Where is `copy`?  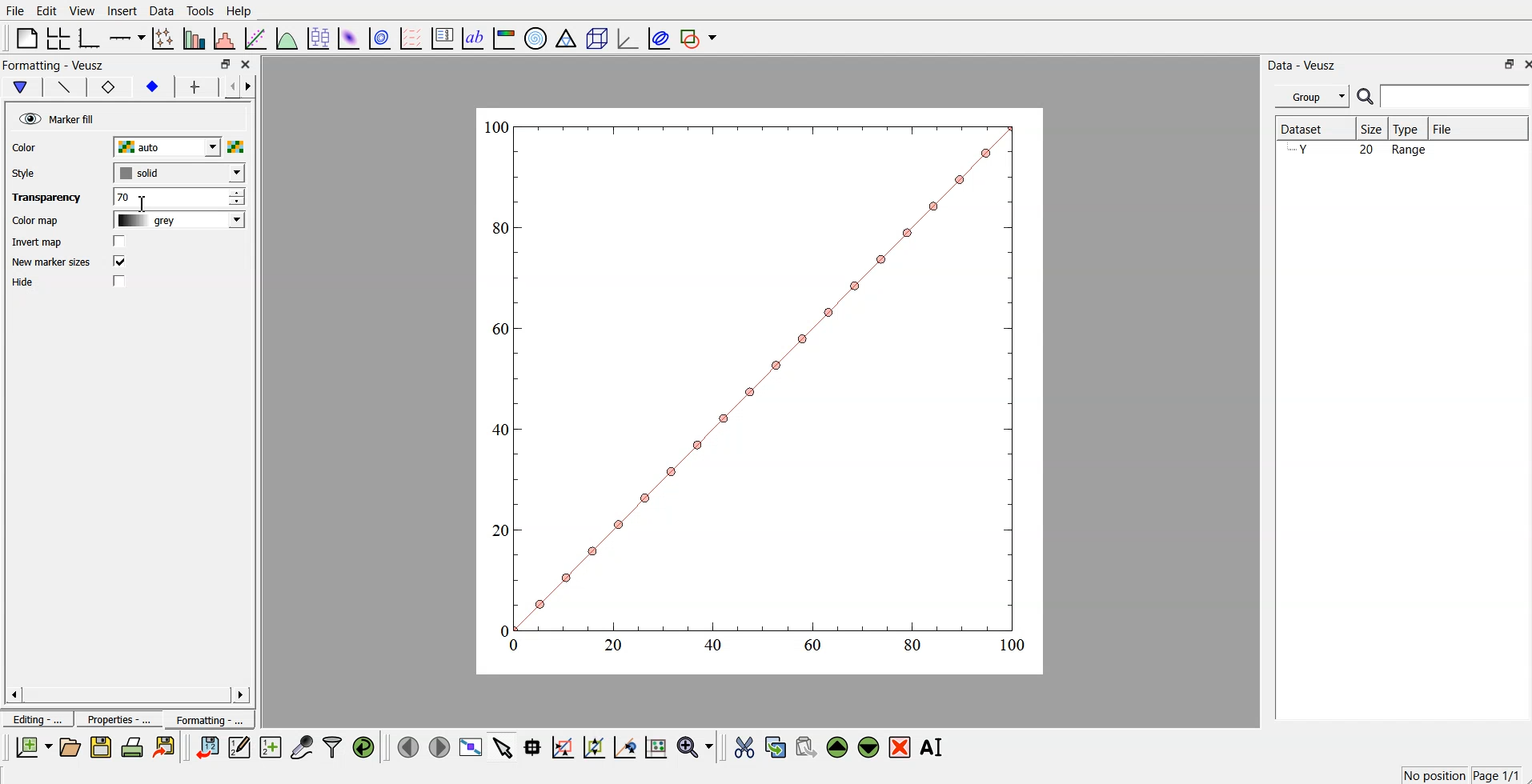 copy is located at coordinates (777, 744).